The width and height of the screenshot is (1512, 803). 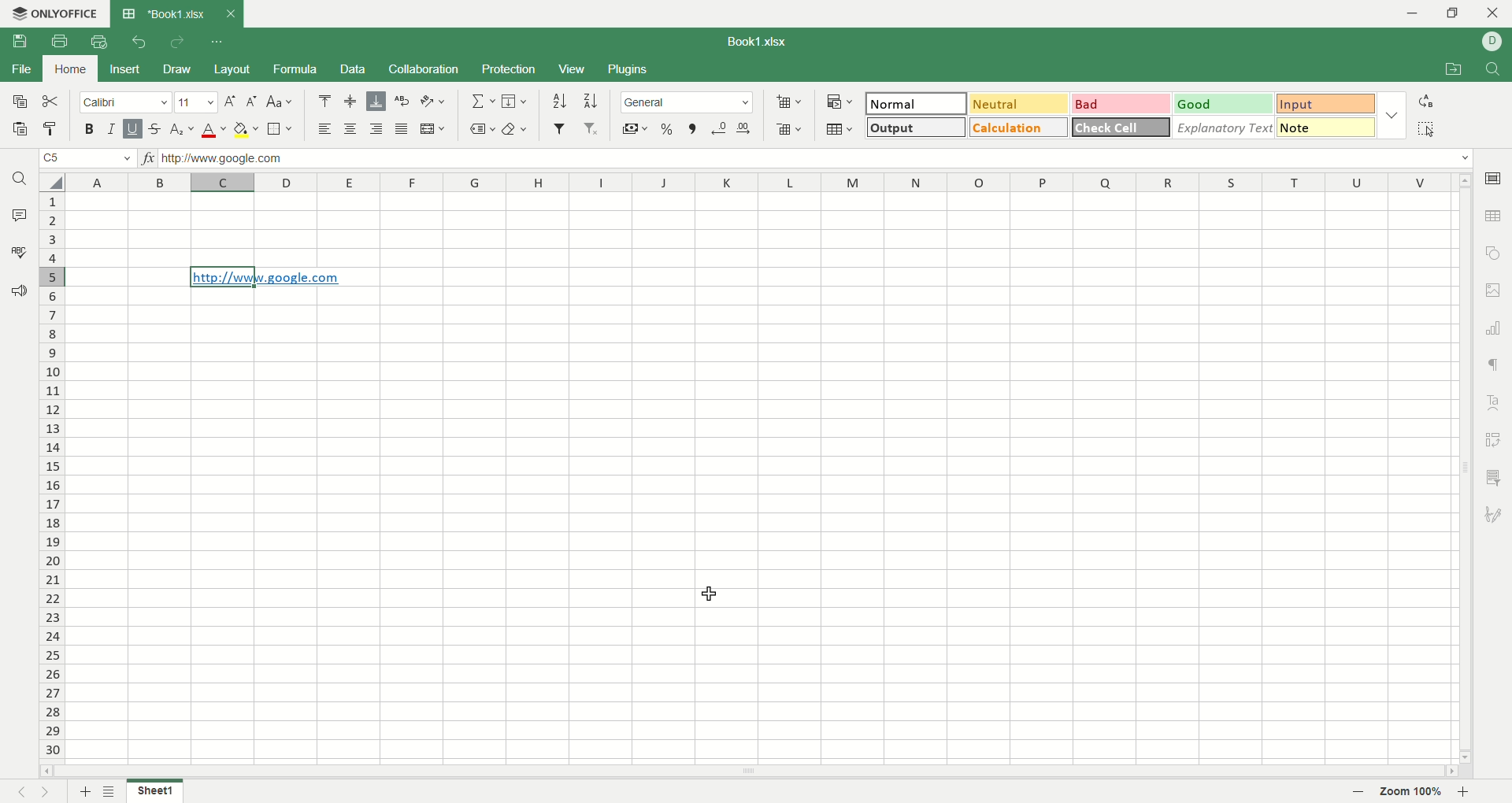 I want to click on save, so click(x=22, y=41).